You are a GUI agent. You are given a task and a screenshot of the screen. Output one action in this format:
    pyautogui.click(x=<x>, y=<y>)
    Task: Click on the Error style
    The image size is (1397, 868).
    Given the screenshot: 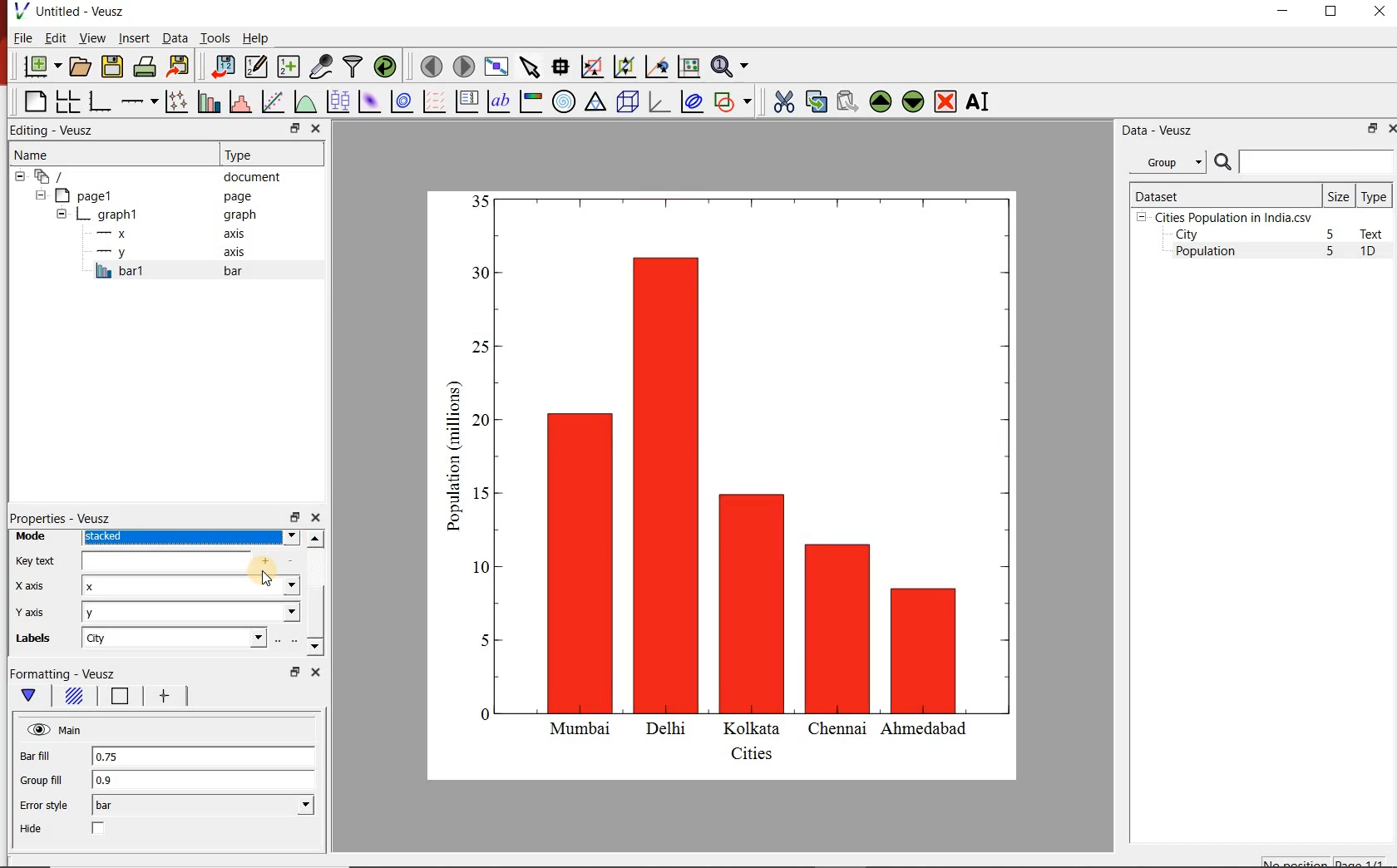 What is the action you would take?
    pyautogui.click(x=43, y=806)
    